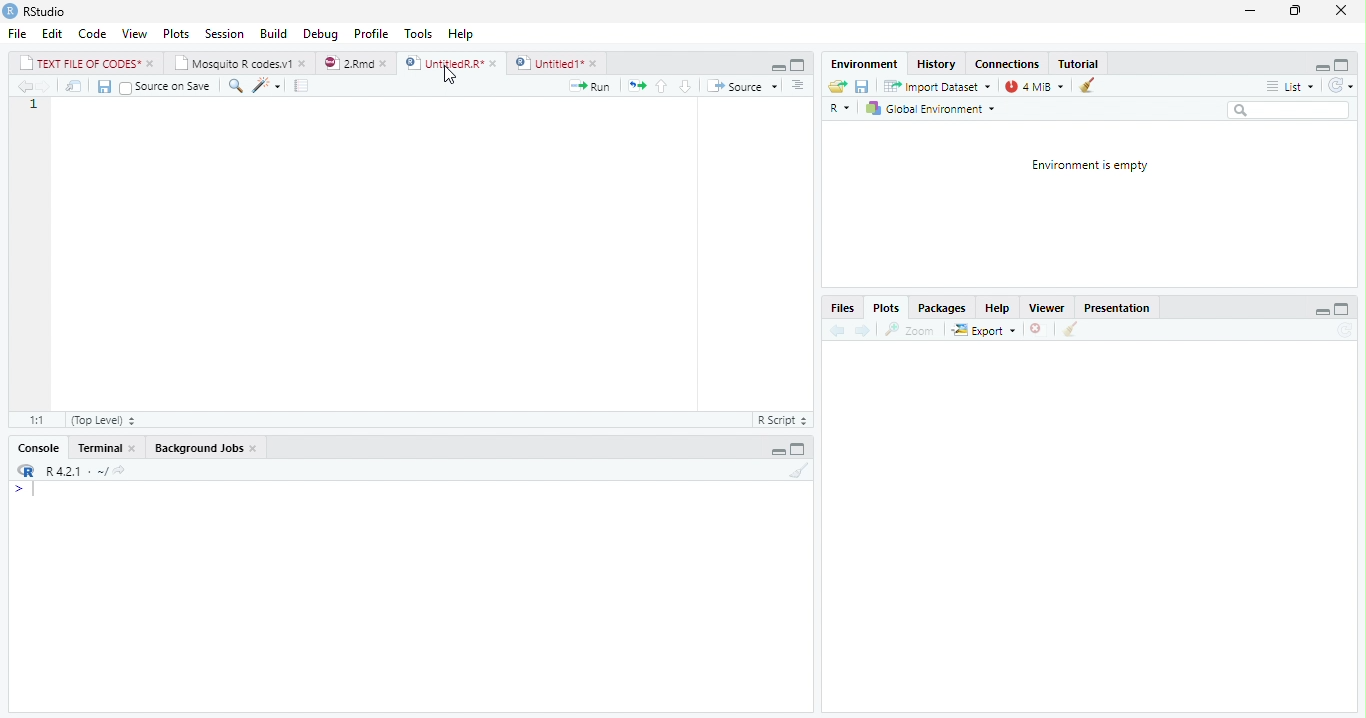 The height and width of the screenshot is (718, 1366). Describe the element at coordinates (322, 34) in the screenshot. I see `Debug` at that location.